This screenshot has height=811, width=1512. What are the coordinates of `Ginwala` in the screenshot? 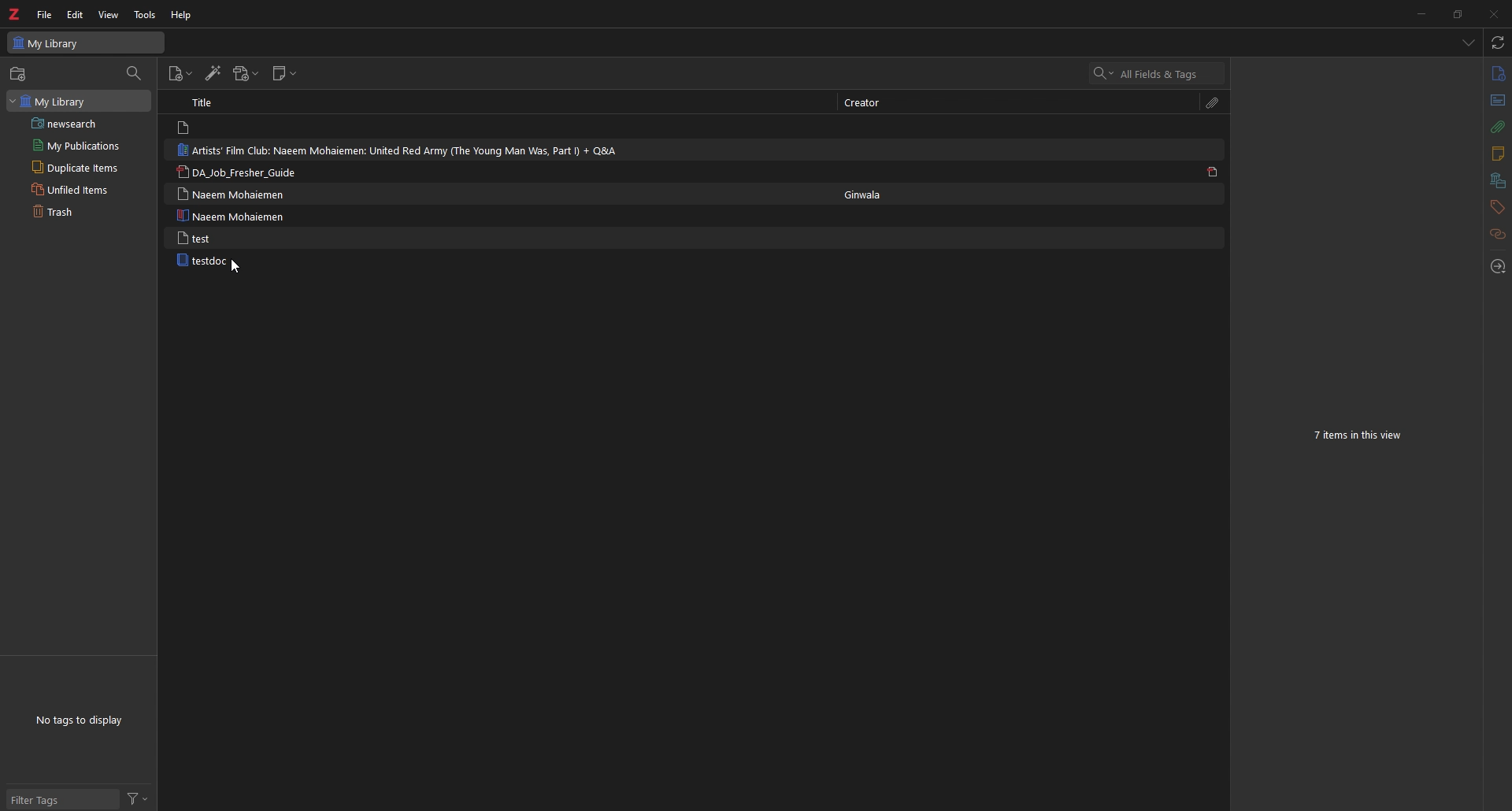 It's located at (870, 192).